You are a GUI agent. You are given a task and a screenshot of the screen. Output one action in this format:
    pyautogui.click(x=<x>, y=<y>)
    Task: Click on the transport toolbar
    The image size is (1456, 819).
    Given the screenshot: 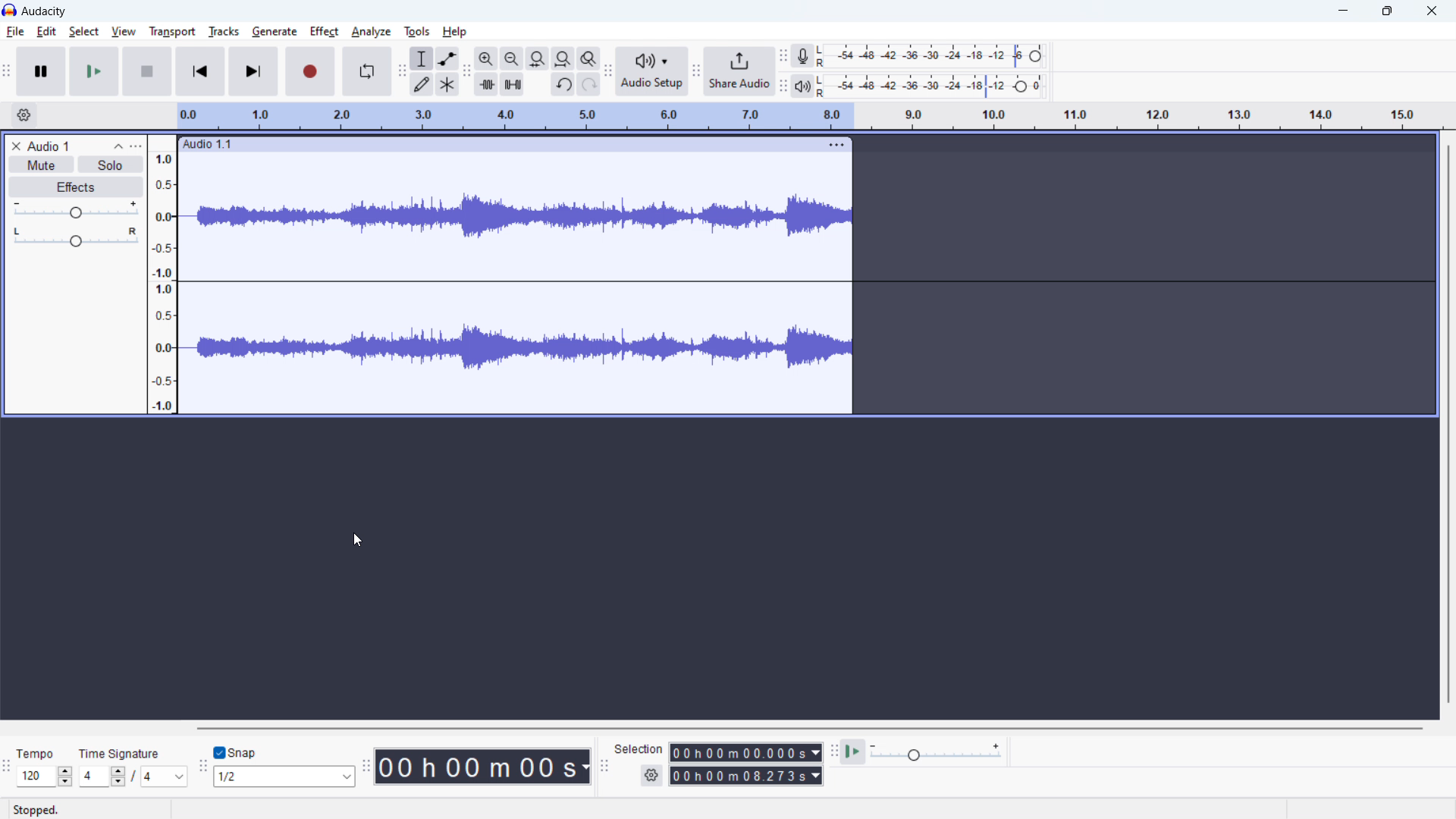 What is the action you would take?
    pyautogui.click(x=7, y=72)
    